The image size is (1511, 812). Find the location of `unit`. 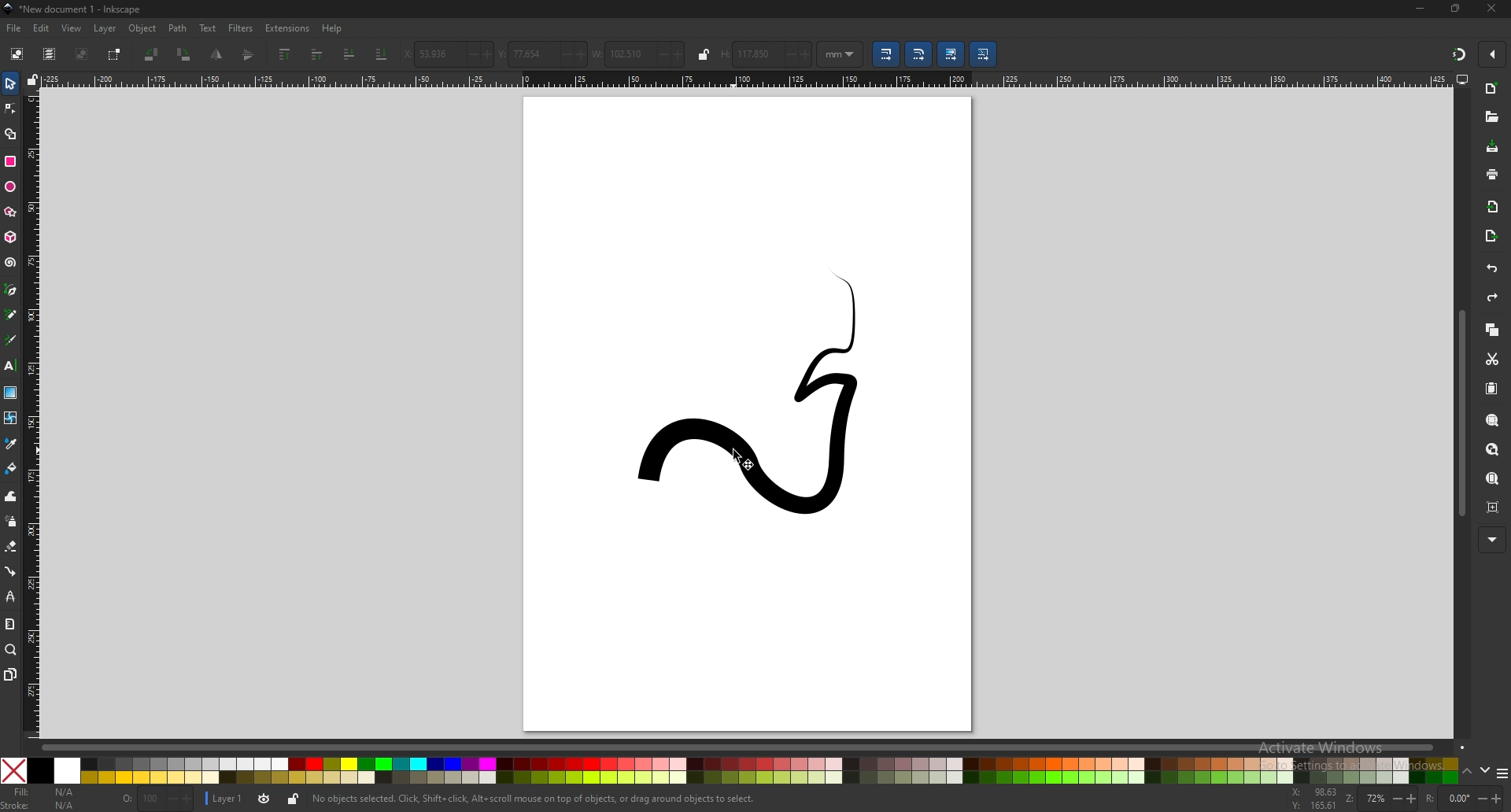

unit is located at coordinates (840, 55).